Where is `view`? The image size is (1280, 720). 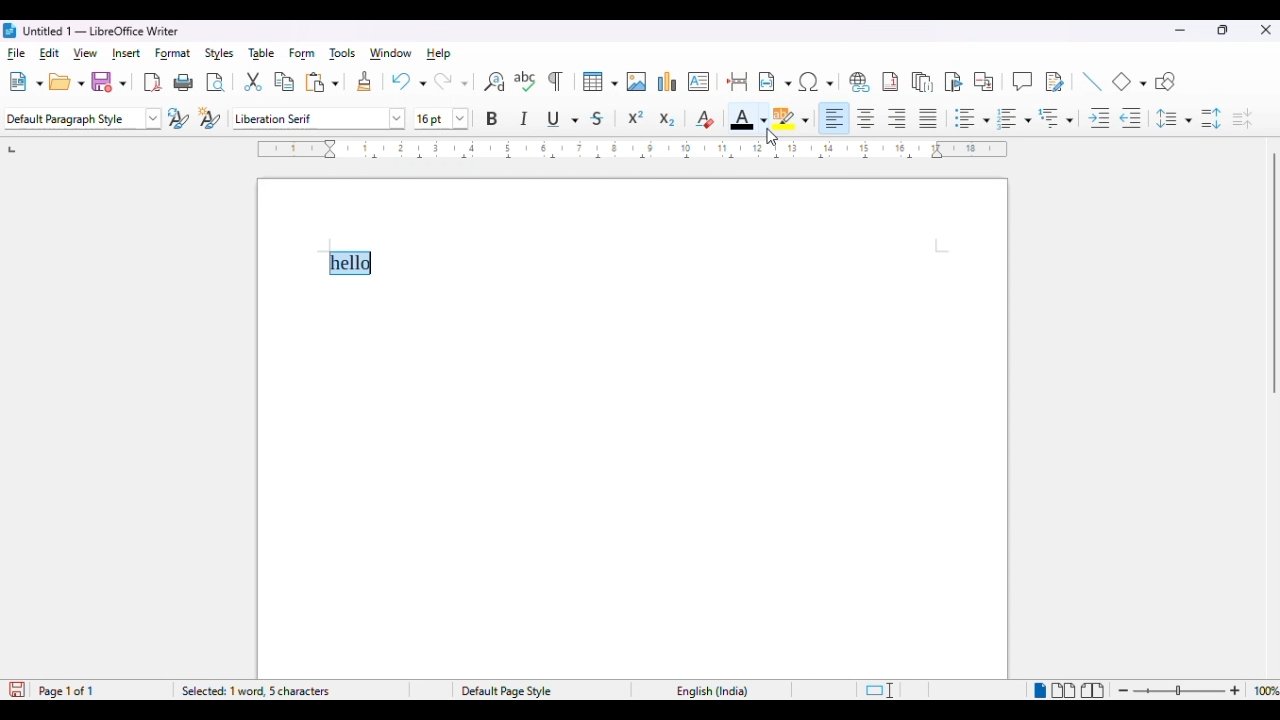
view is located at coordinates (86, 53).